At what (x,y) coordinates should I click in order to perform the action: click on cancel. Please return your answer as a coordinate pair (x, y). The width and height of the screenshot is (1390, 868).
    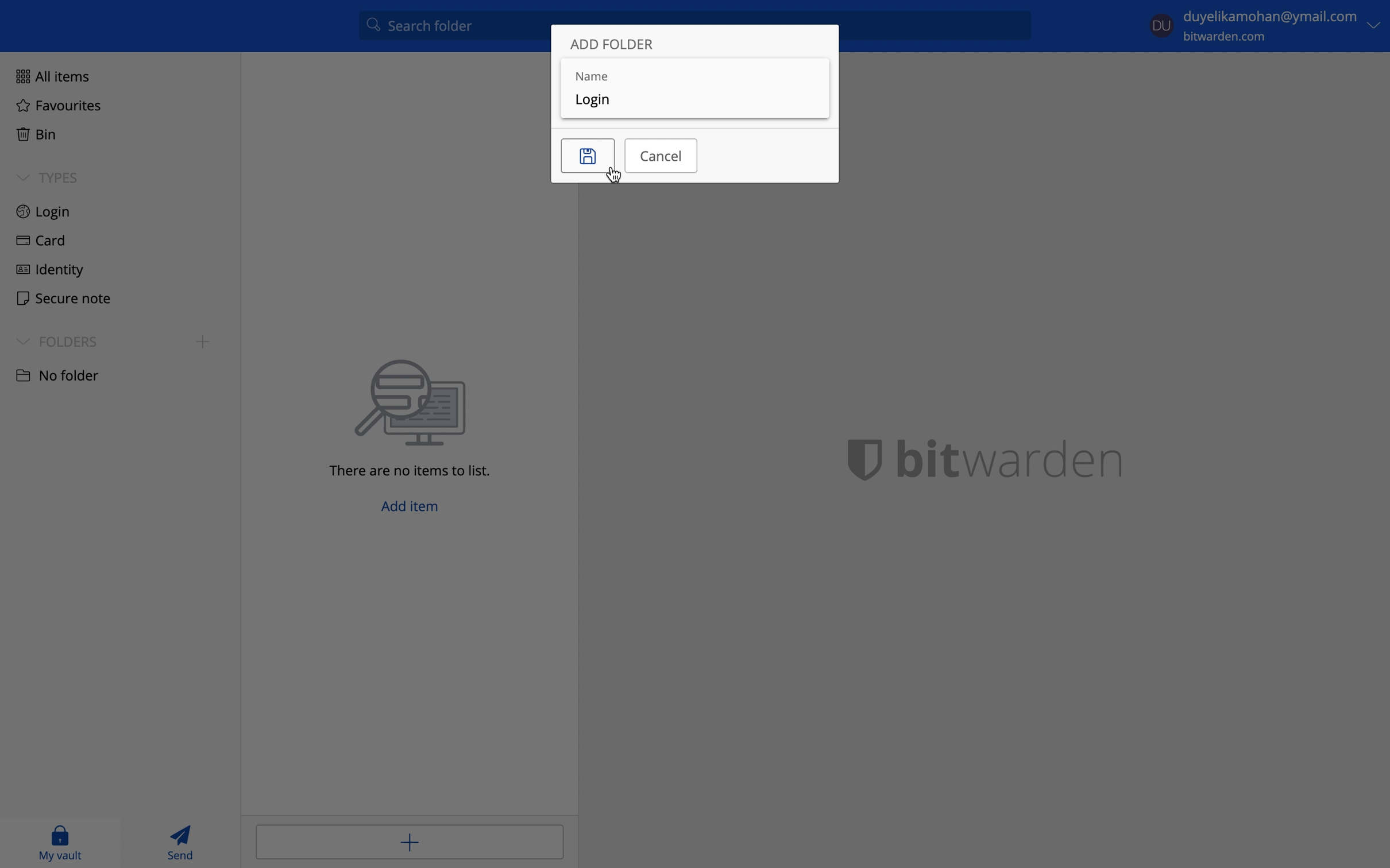
    Looking at the image, I should click on (661, 154).